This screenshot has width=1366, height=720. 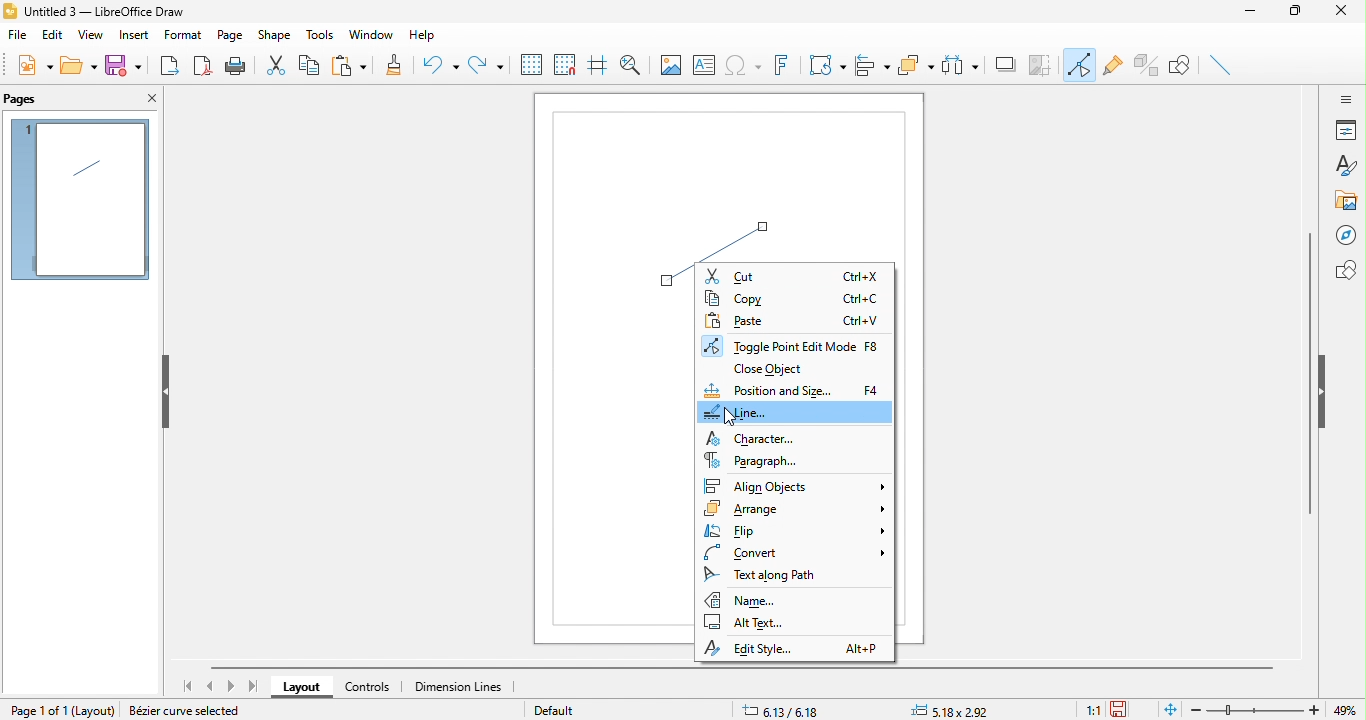 What do you see at coordinates (797, 509) in the screenshot?
I see `arrange` at bounding box center [797, 509].